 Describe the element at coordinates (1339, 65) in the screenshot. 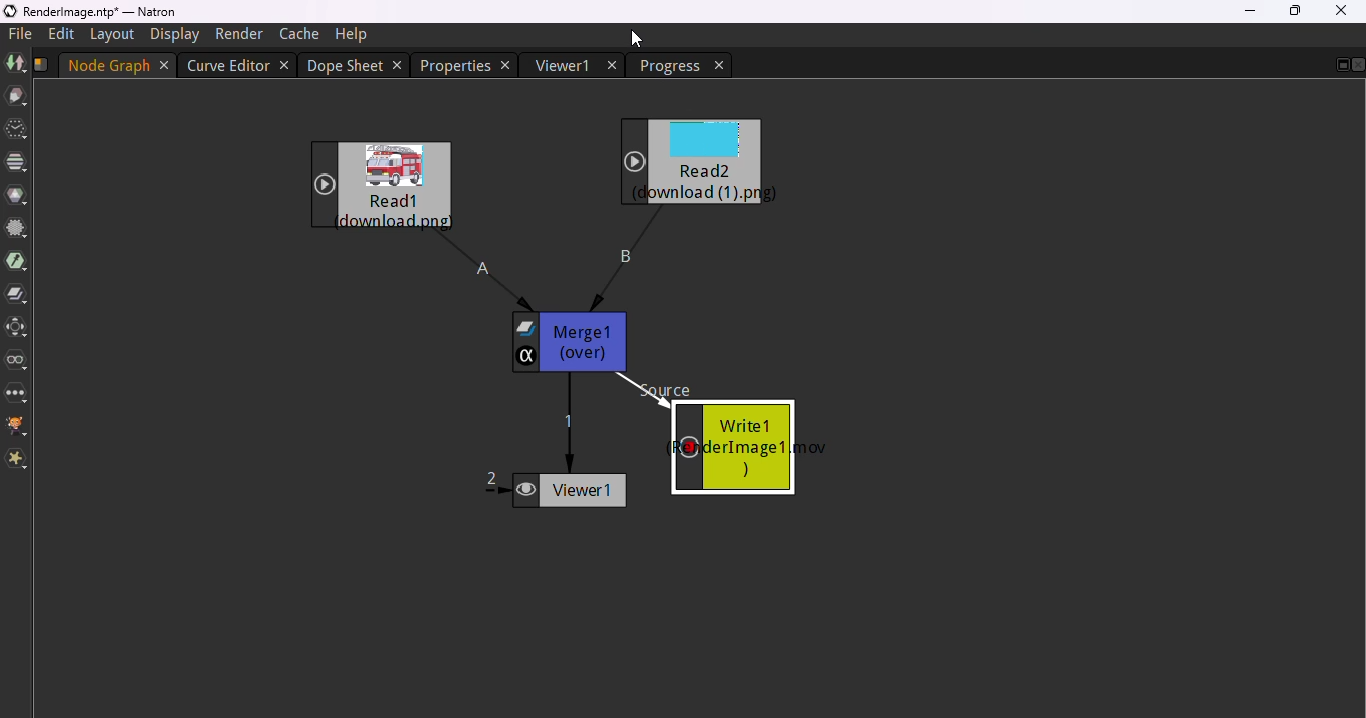

I see `floating tab` at that location.